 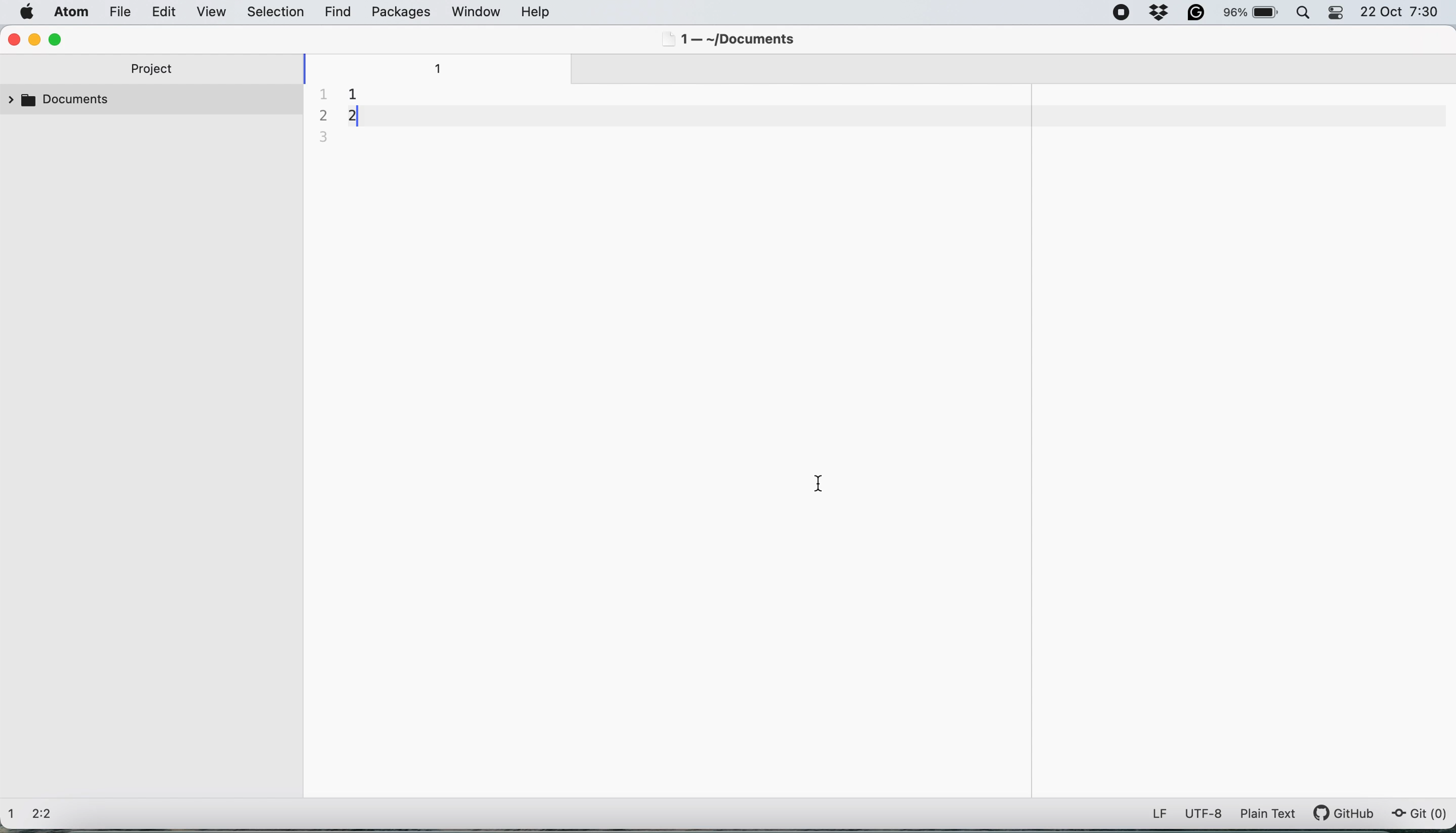 What do you see at coordinates (738, 39) in the screenshot?
I see `1 — ~/Documents` at bounding box center [738, 39].